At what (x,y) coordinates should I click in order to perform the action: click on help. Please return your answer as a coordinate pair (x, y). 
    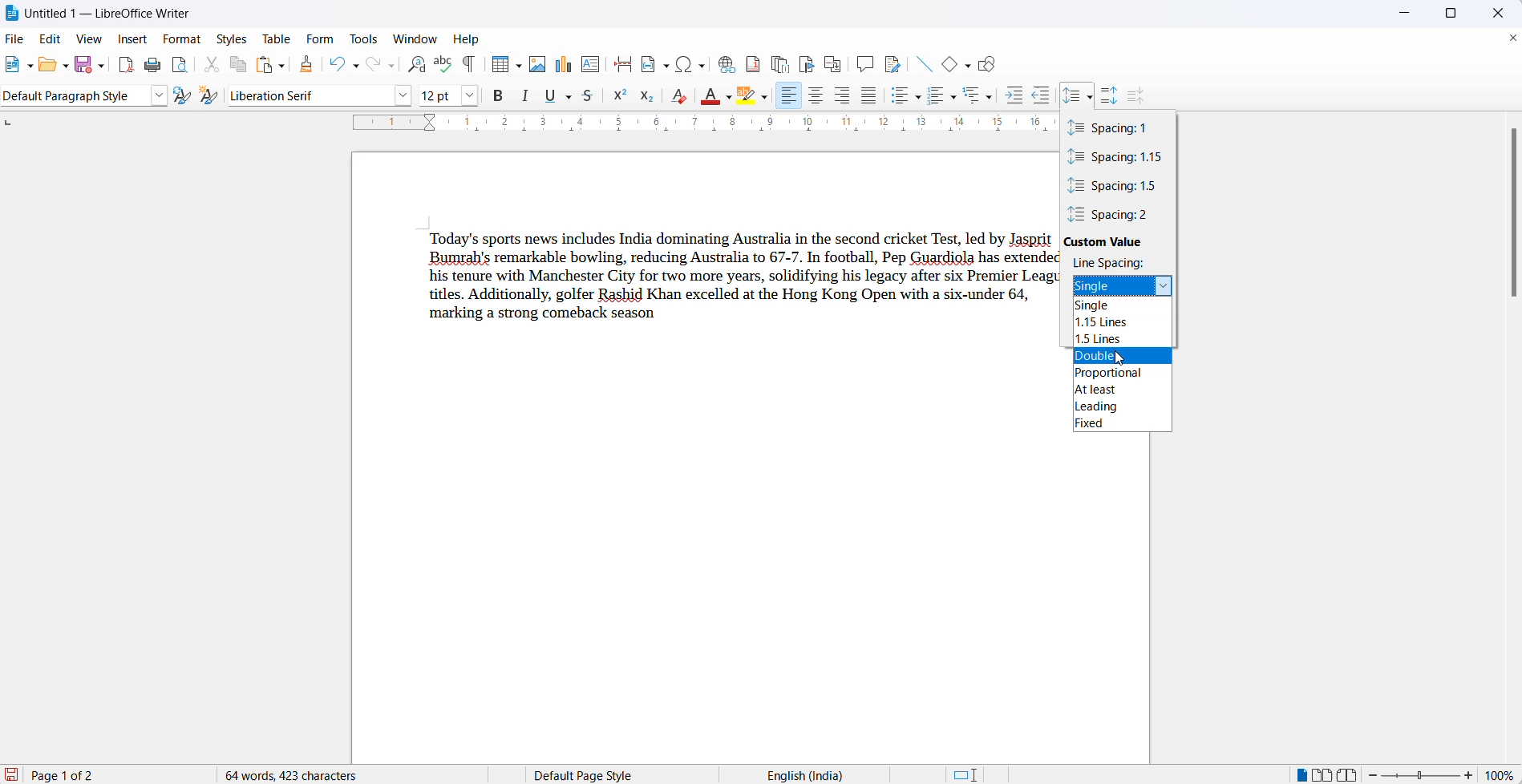
    Looking at the image, I should click on (473, 40).